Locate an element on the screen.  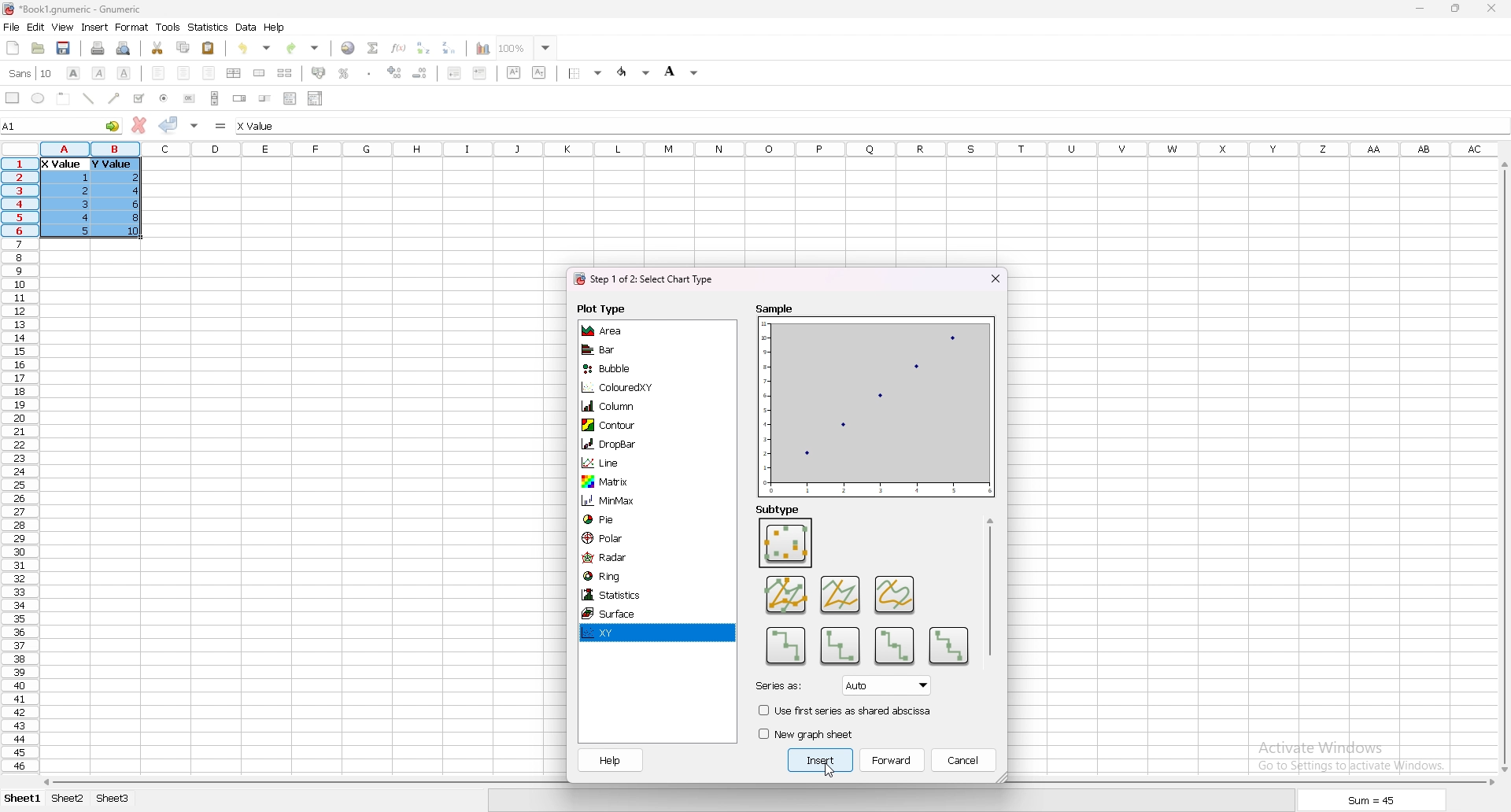
chart is located at coordinates (478, 49).